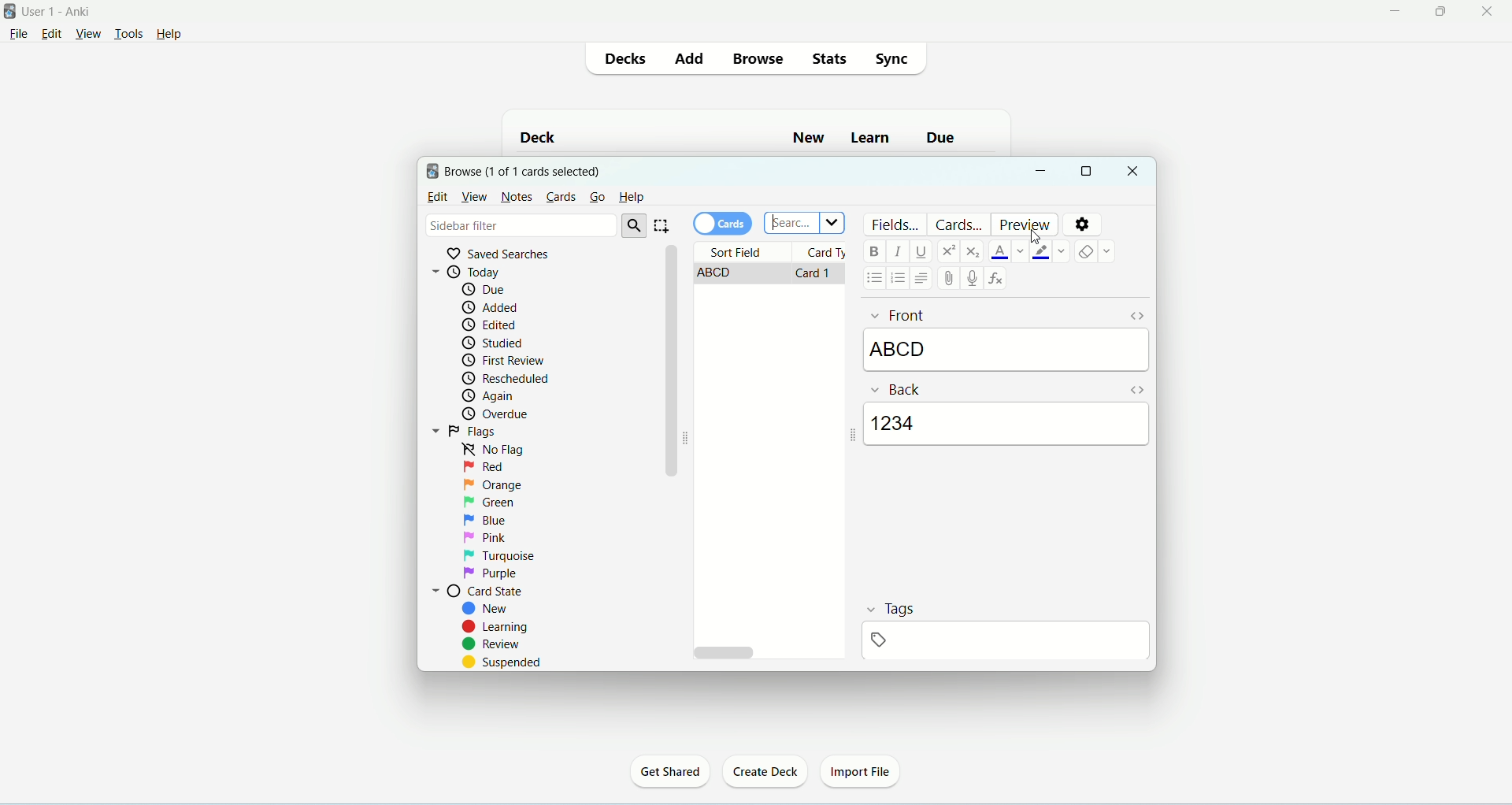 The image size is (1512, 805). I want to click on no flag, so click(497, 451).